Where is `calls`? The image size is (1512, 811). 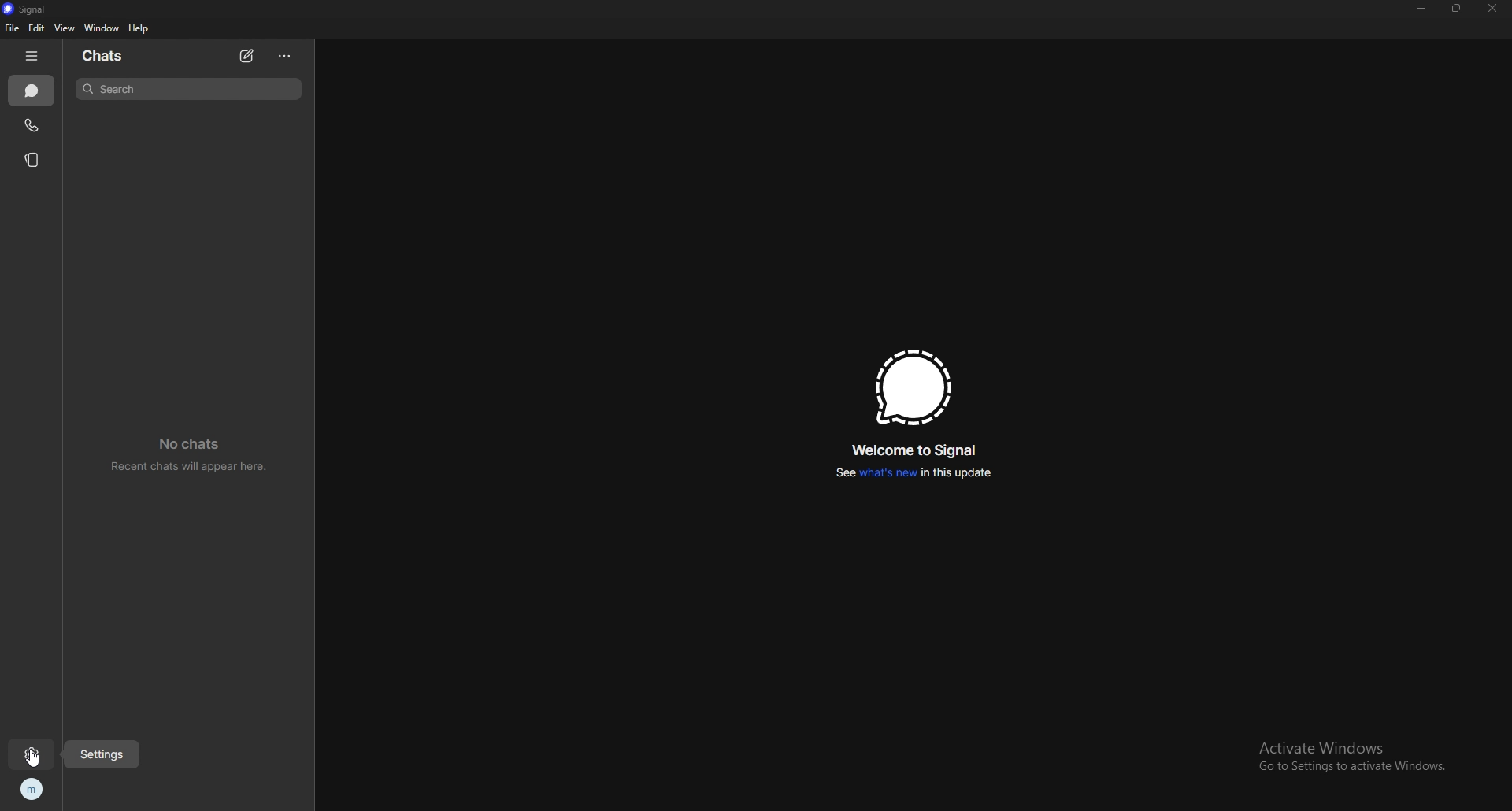
calls is located at coordinates (35, 124).